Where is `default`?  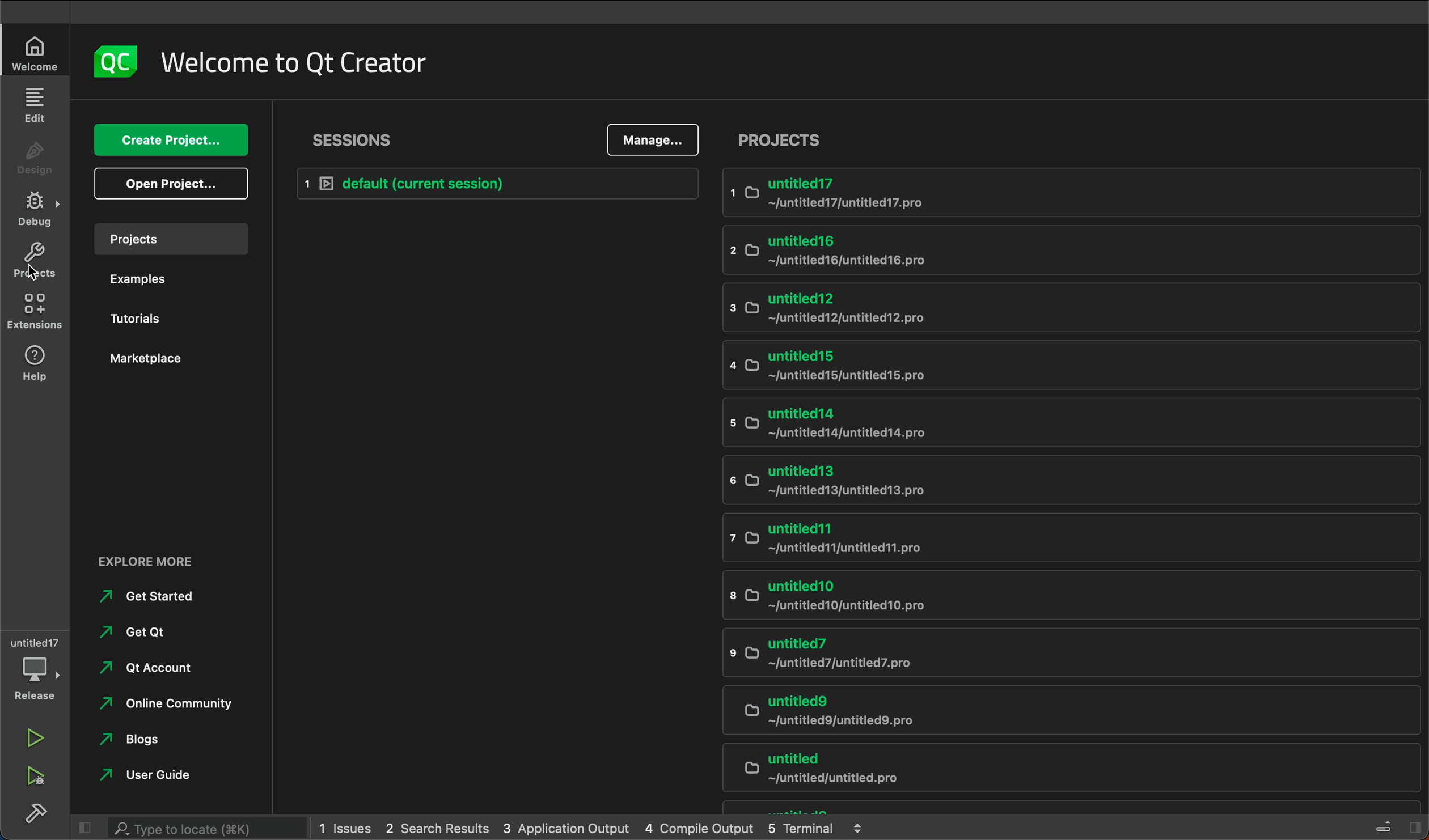
default is located at coordinates (500, 185).